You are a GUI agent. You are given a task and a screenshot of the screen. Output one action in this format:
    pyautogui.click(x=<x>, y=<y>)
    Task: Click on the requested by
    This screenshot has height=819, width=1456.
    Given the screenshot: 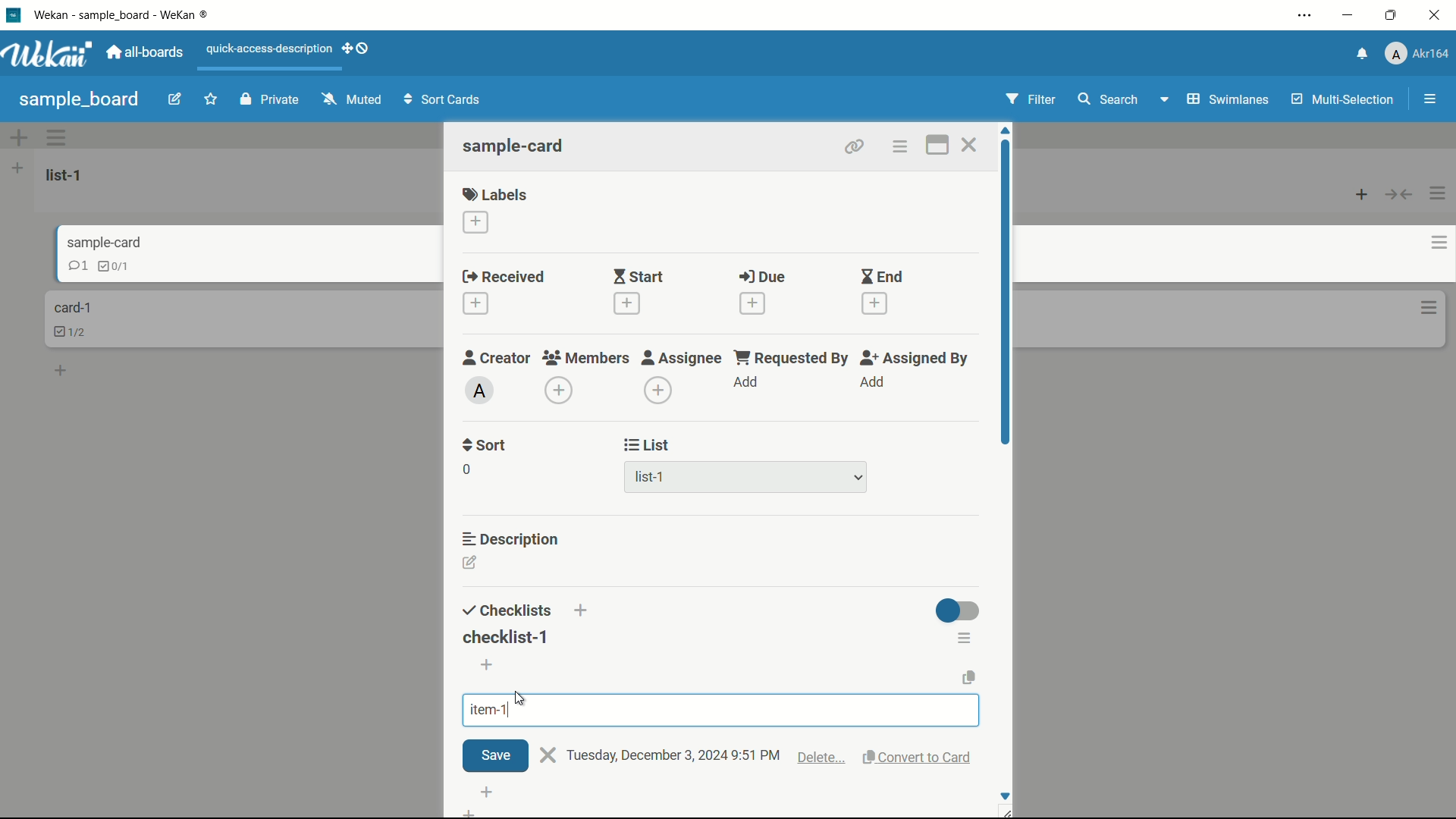 What is the action you would take?
    pyautogui.click(x=793, y=358)
    